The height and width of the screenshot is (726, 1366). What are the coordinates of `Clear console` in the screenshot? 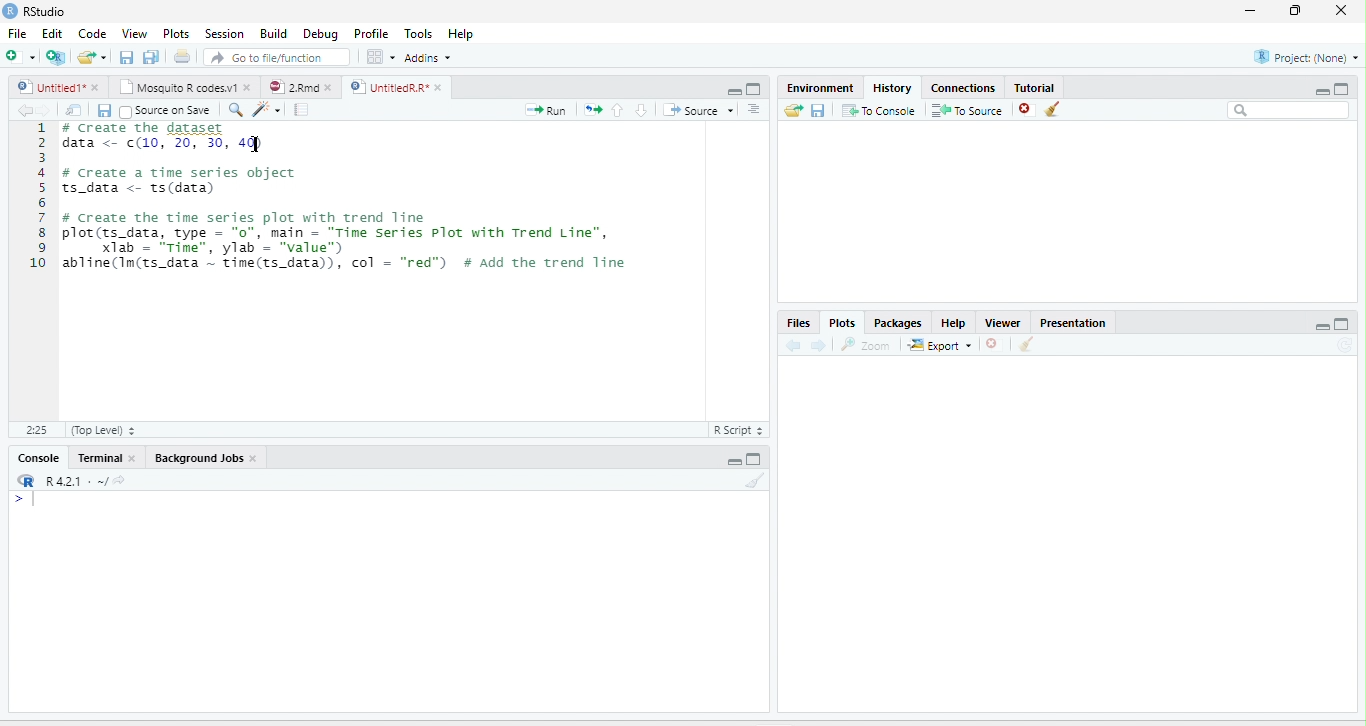 It's located at (756, 480).